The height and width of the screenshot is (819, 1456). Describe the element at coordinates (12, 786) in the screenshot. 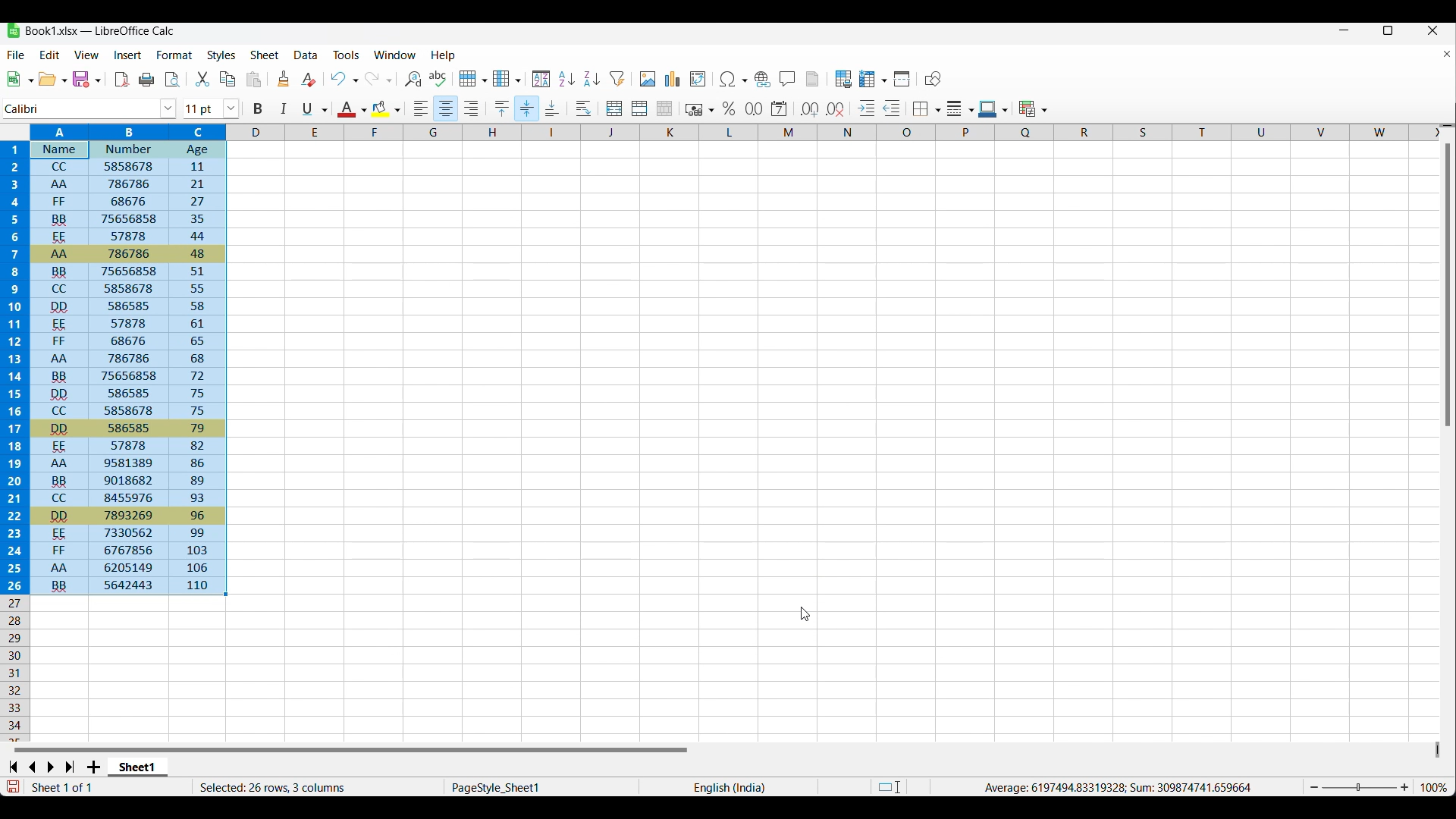

I see `Indicates modifications that require saving` at that location.